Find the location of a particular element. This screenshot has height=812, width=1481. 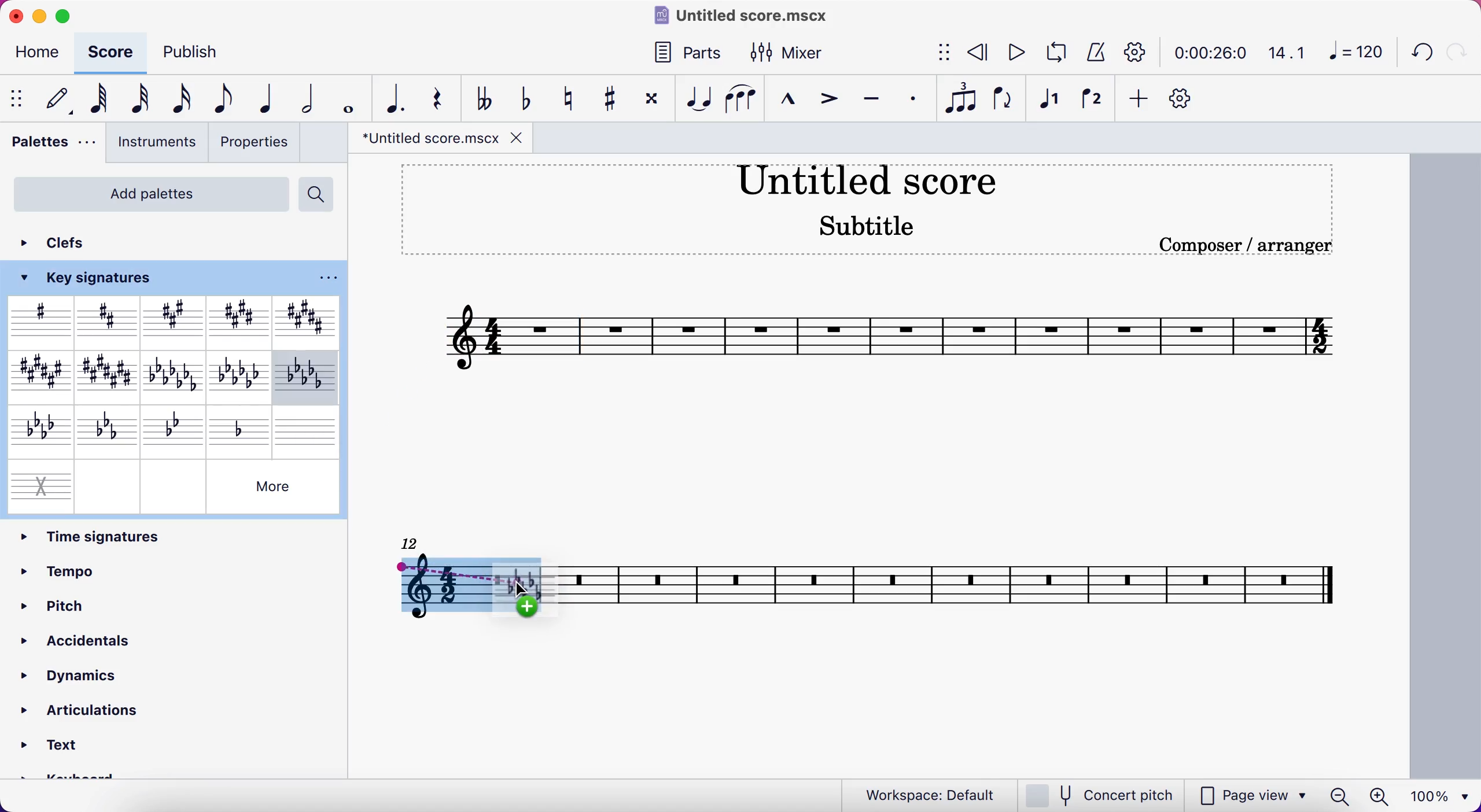

loop playback is located at coordinates (1054, 52).